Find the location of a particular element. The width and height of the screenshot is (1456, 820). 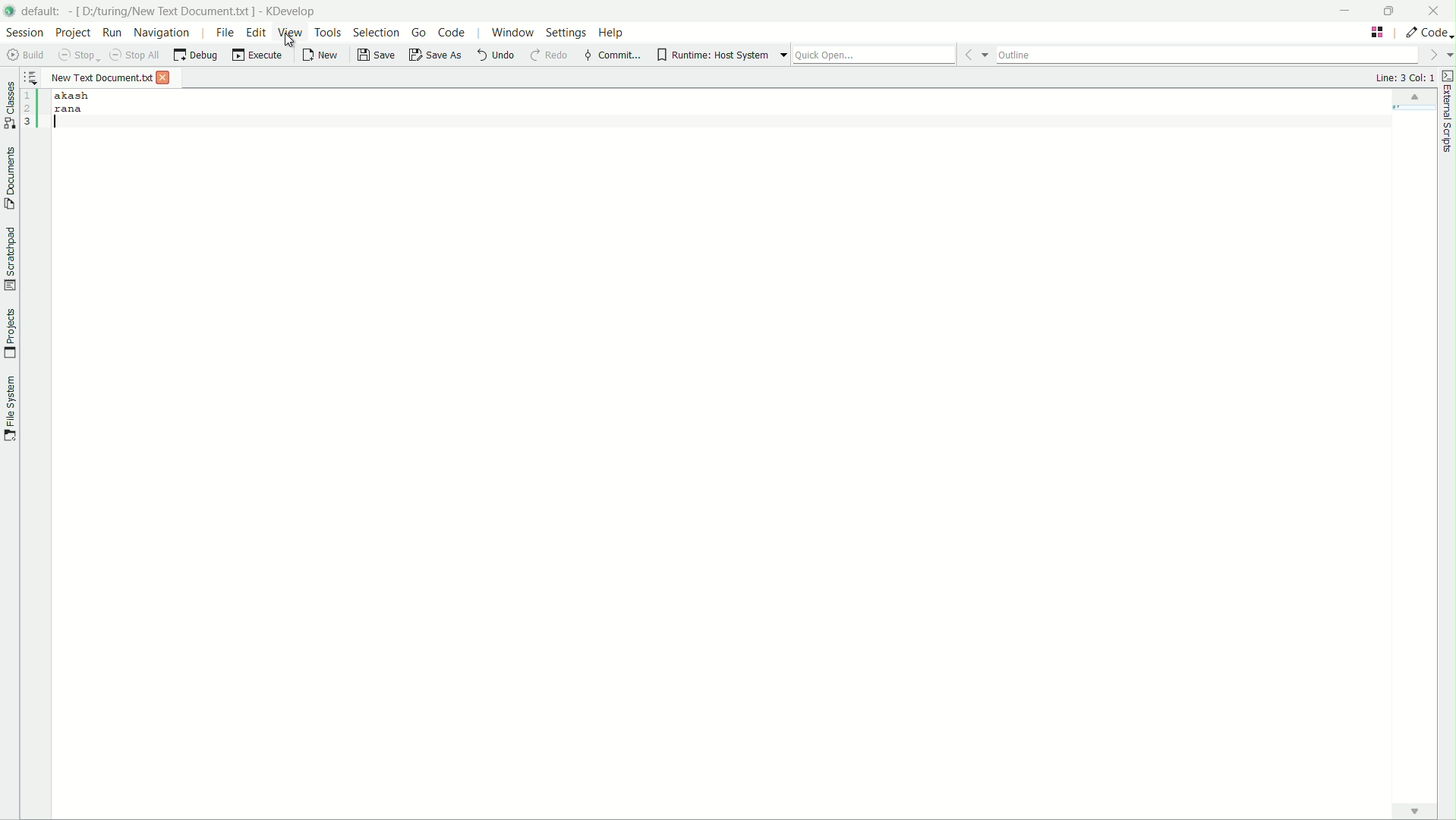

build is located at coordinates (27, 55).